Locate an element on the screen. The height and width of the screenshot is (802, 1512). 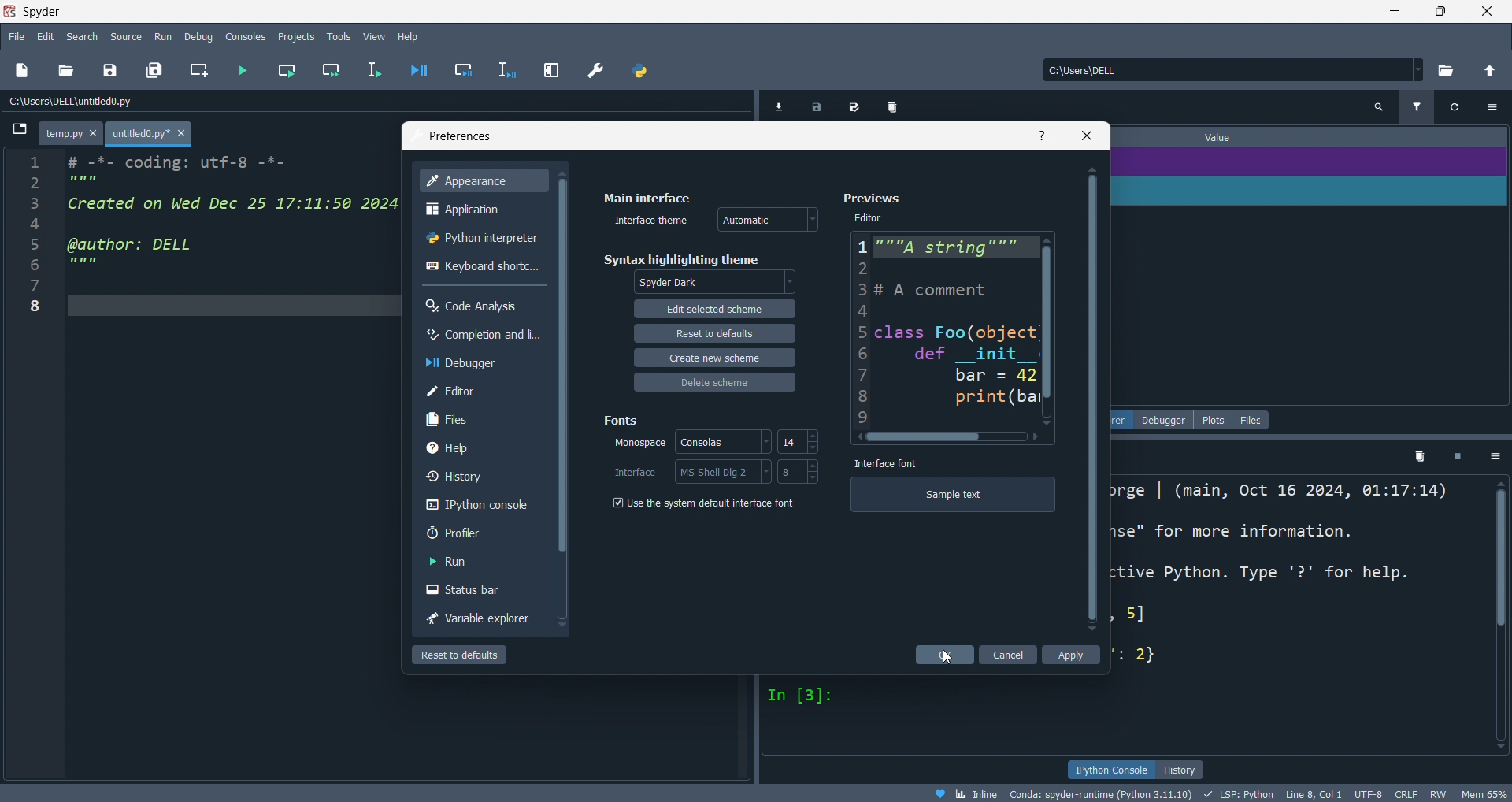
Previews
Editor
1"""A string”"" a
2
3# A comment
4
5 class Foo(object
3 def __init_ |
7 bar = 42
8 print (bar
9 ~
( > is located at coordinates (951, 318).